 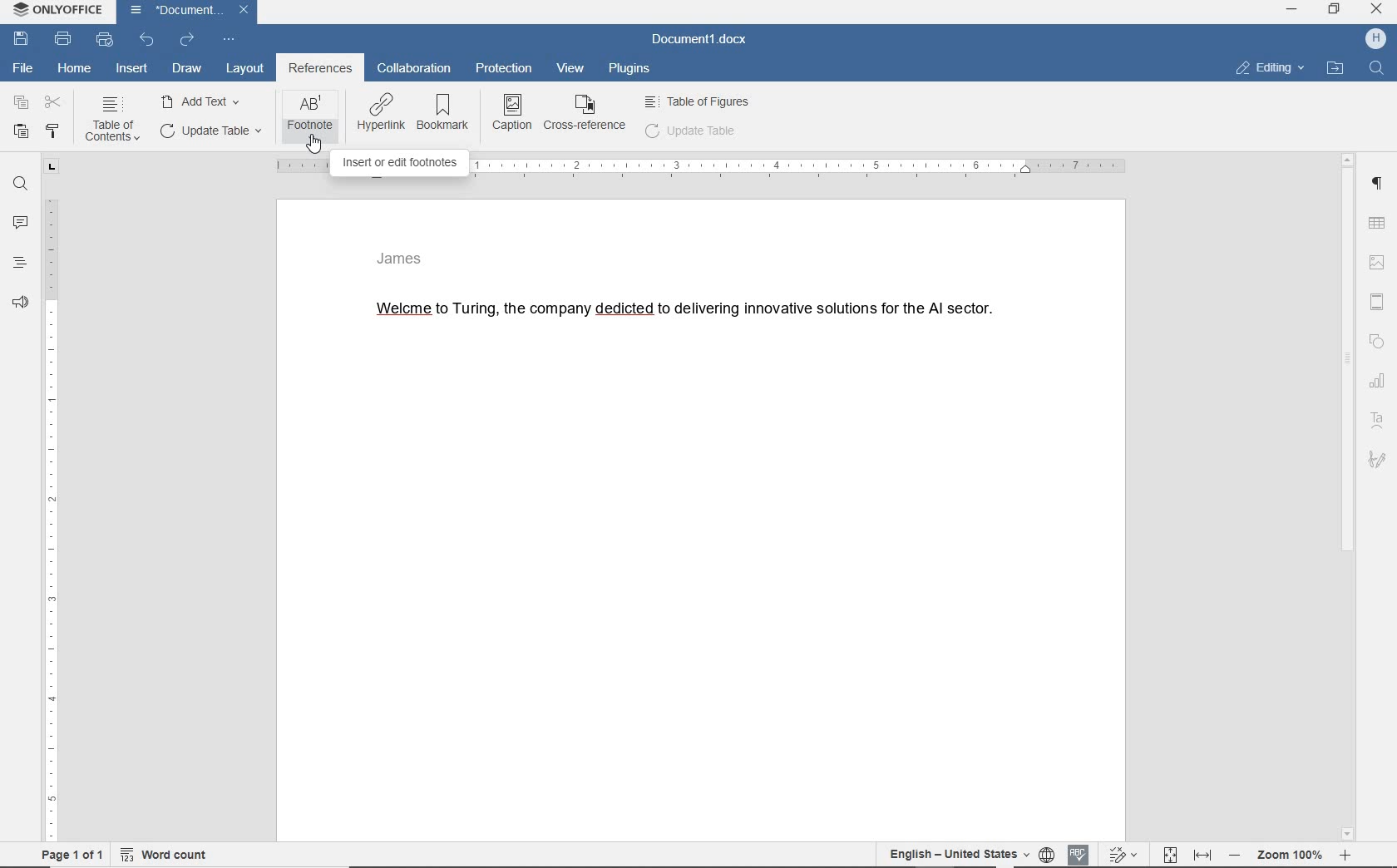 What do you see at coordinates (209, 131) in the screenshot?
I see `update table` at bounding box center [209, 131].